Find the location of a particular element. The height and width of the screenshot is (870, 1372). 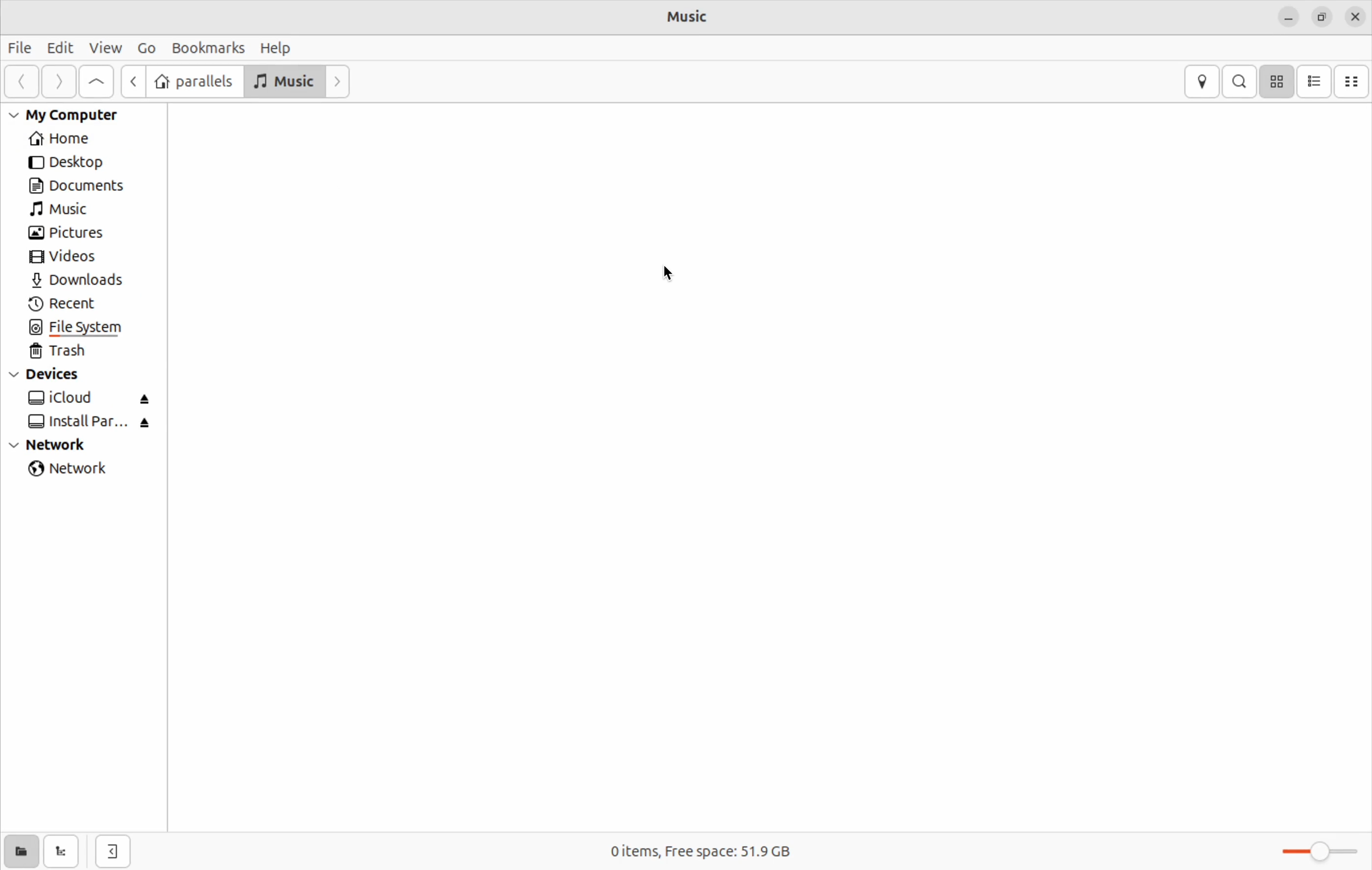

Parallels is located at coordinates (193, 81).